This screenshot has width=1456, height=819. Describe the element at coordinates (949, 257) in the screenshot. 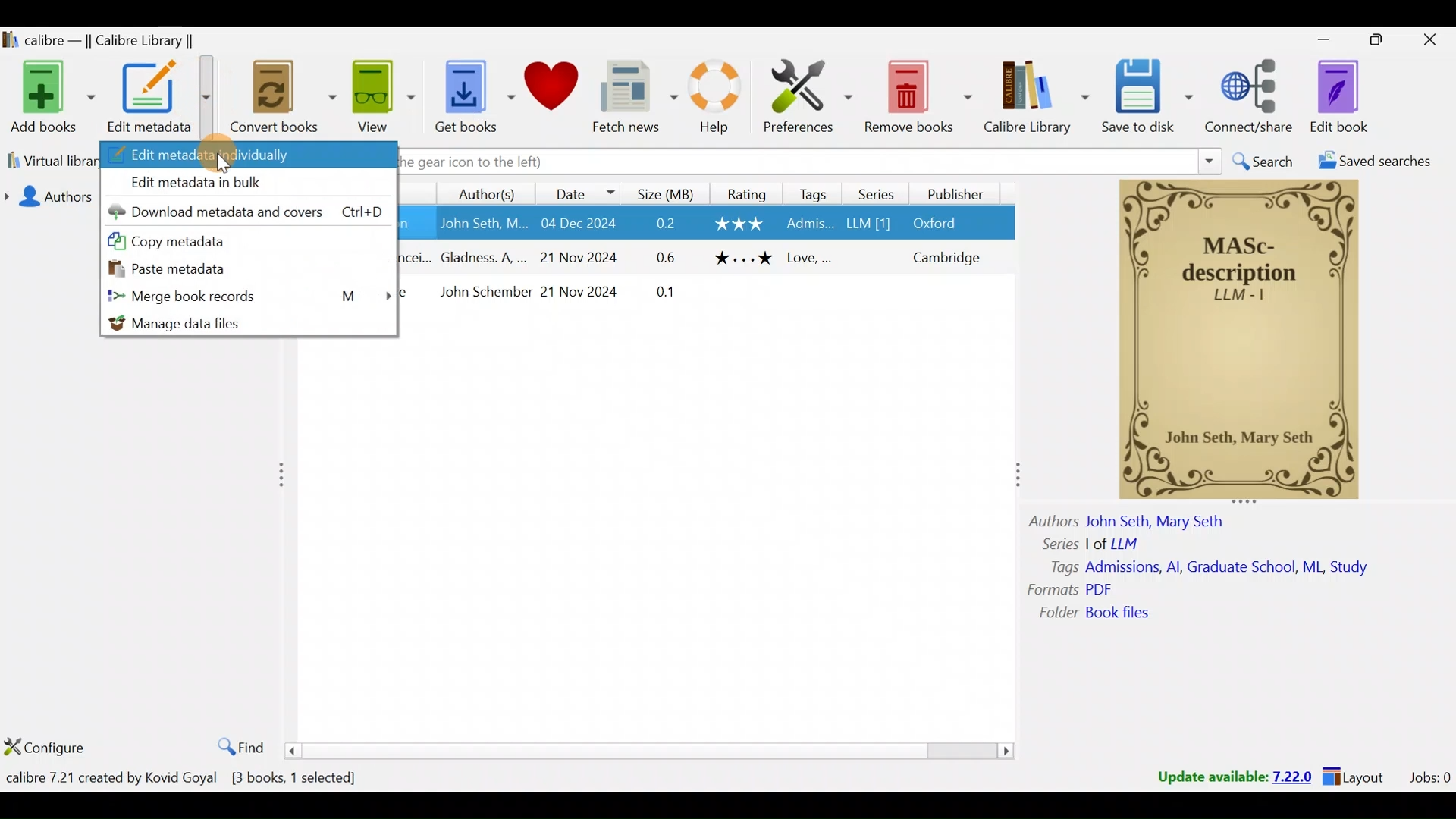

I see `` at that location.